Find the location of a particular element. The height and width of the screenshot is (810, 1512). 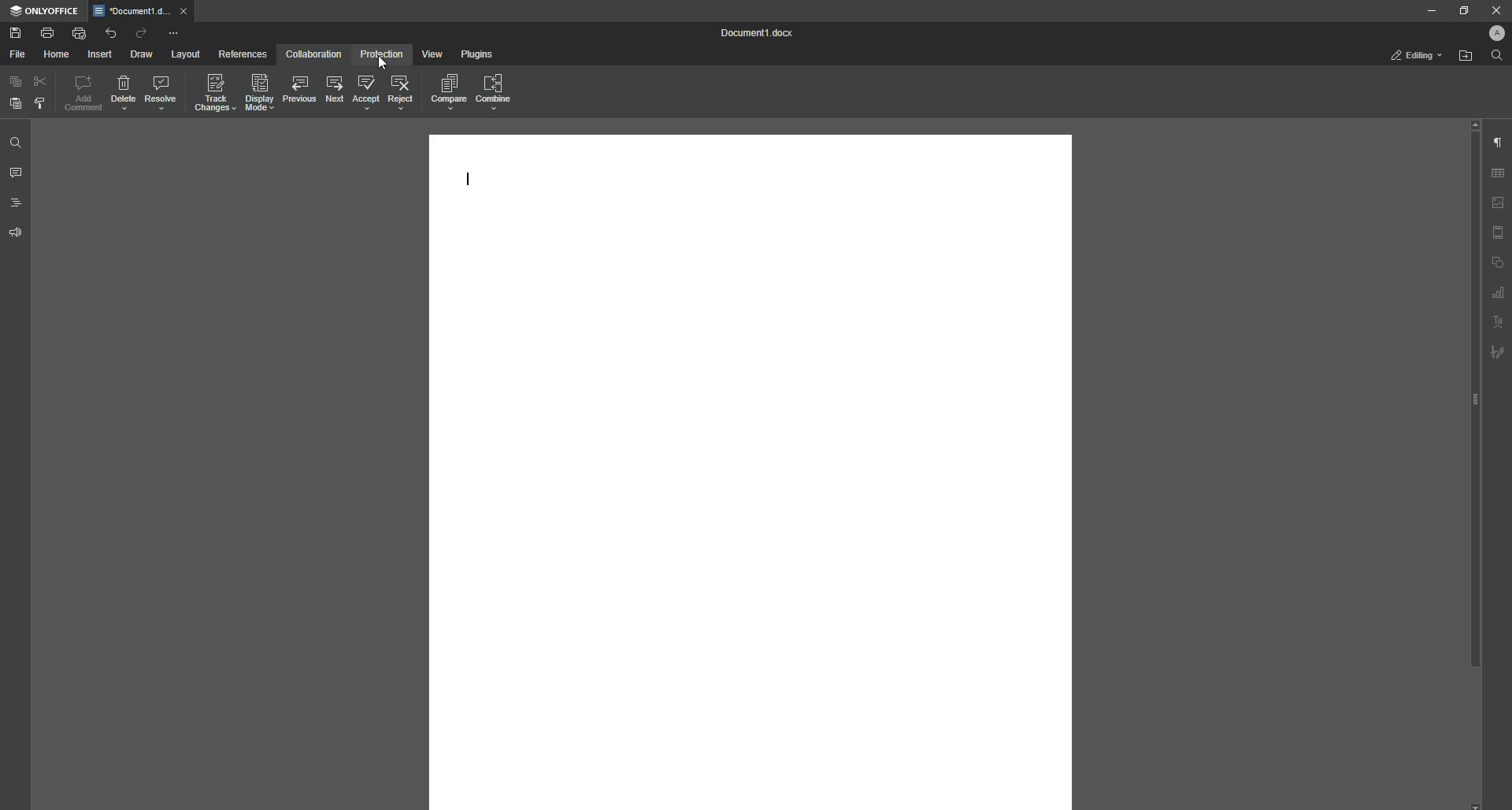

Draw is located at coordinates (143, 54).